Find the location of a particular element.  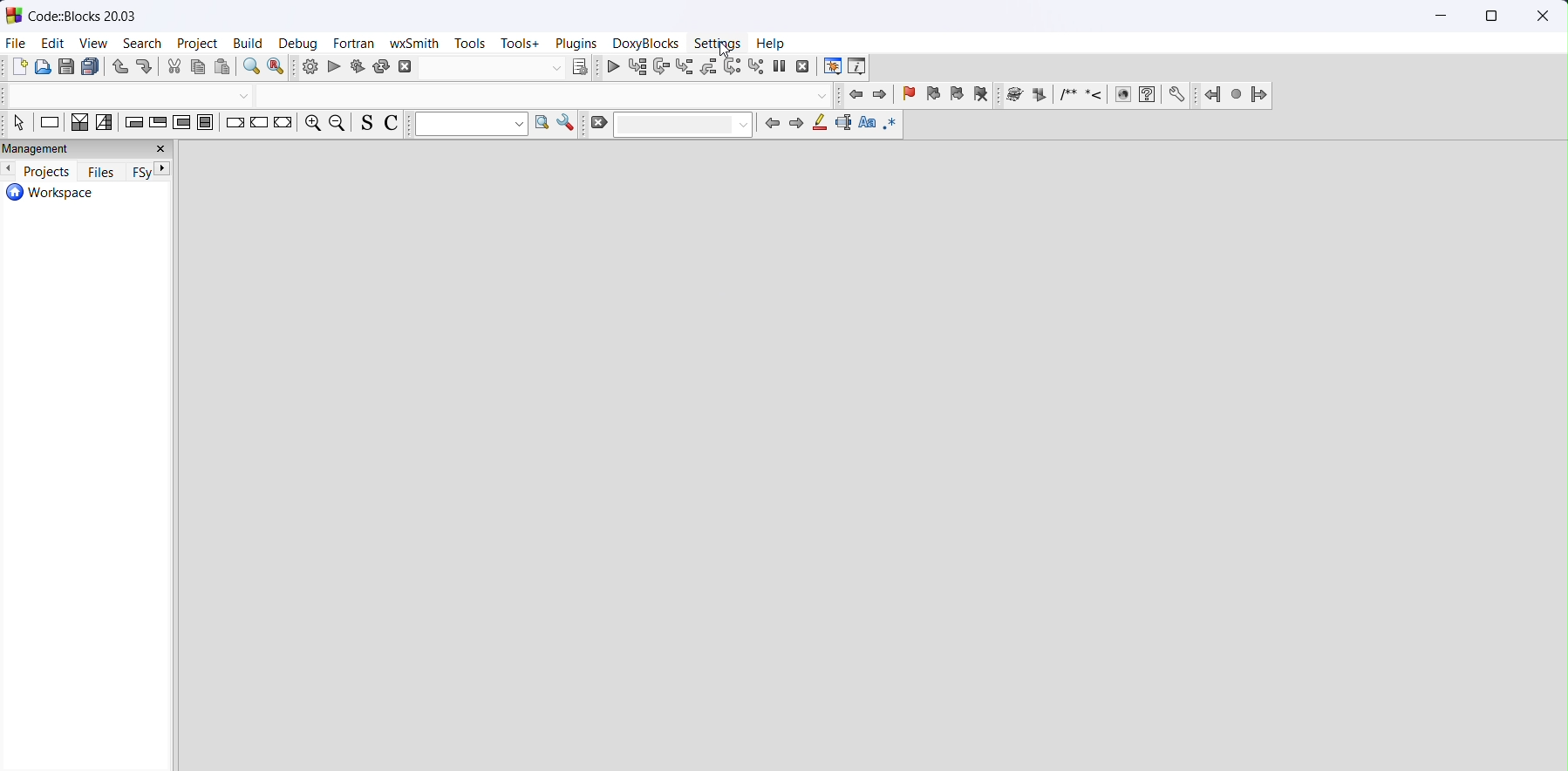

nxt instruction is located at coordinates (733, 67).